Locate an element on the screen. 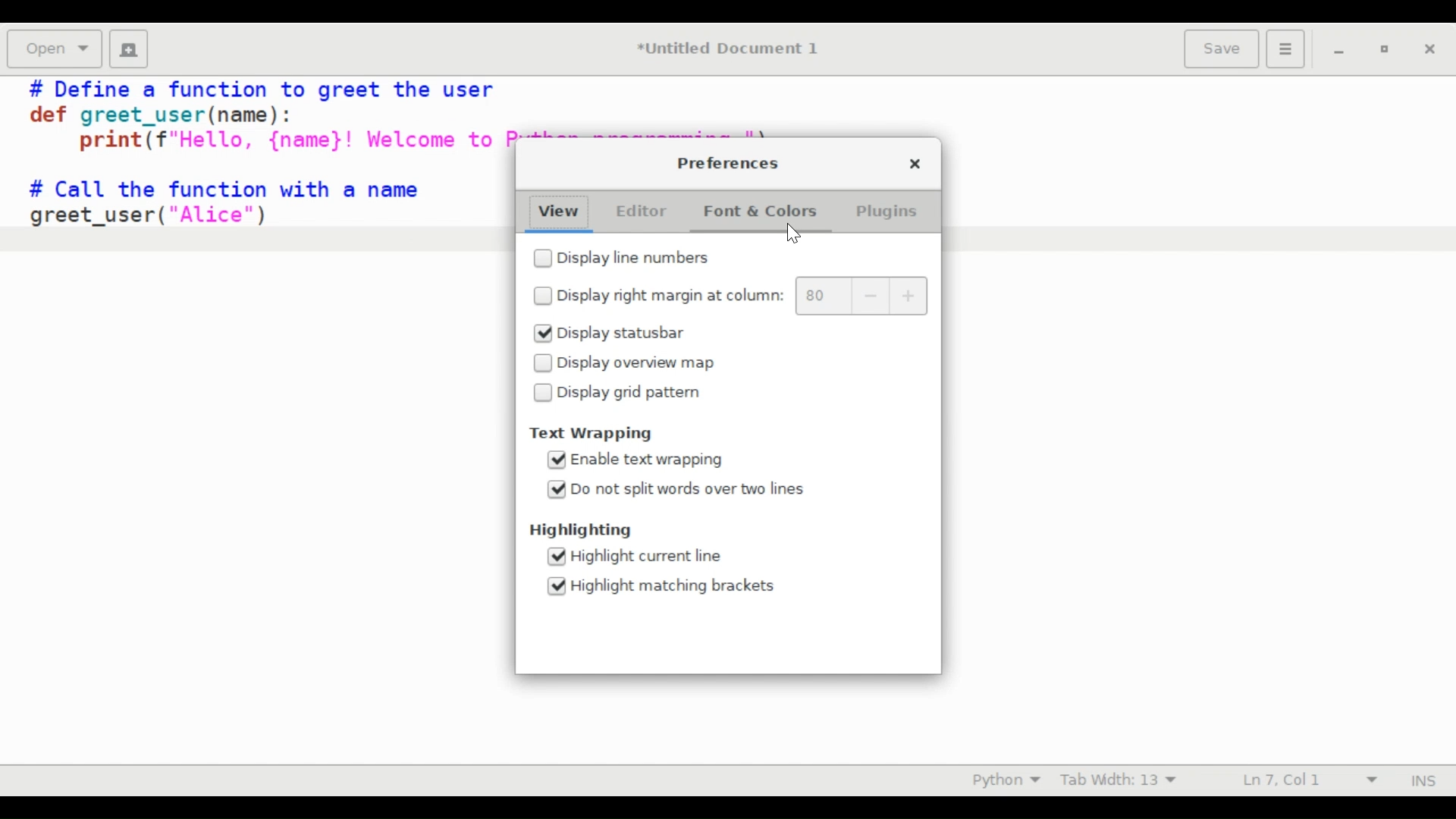 Image resolution: width=1456 pixels, height=819 pixels. Plugins is located at coordinates (886, 209).